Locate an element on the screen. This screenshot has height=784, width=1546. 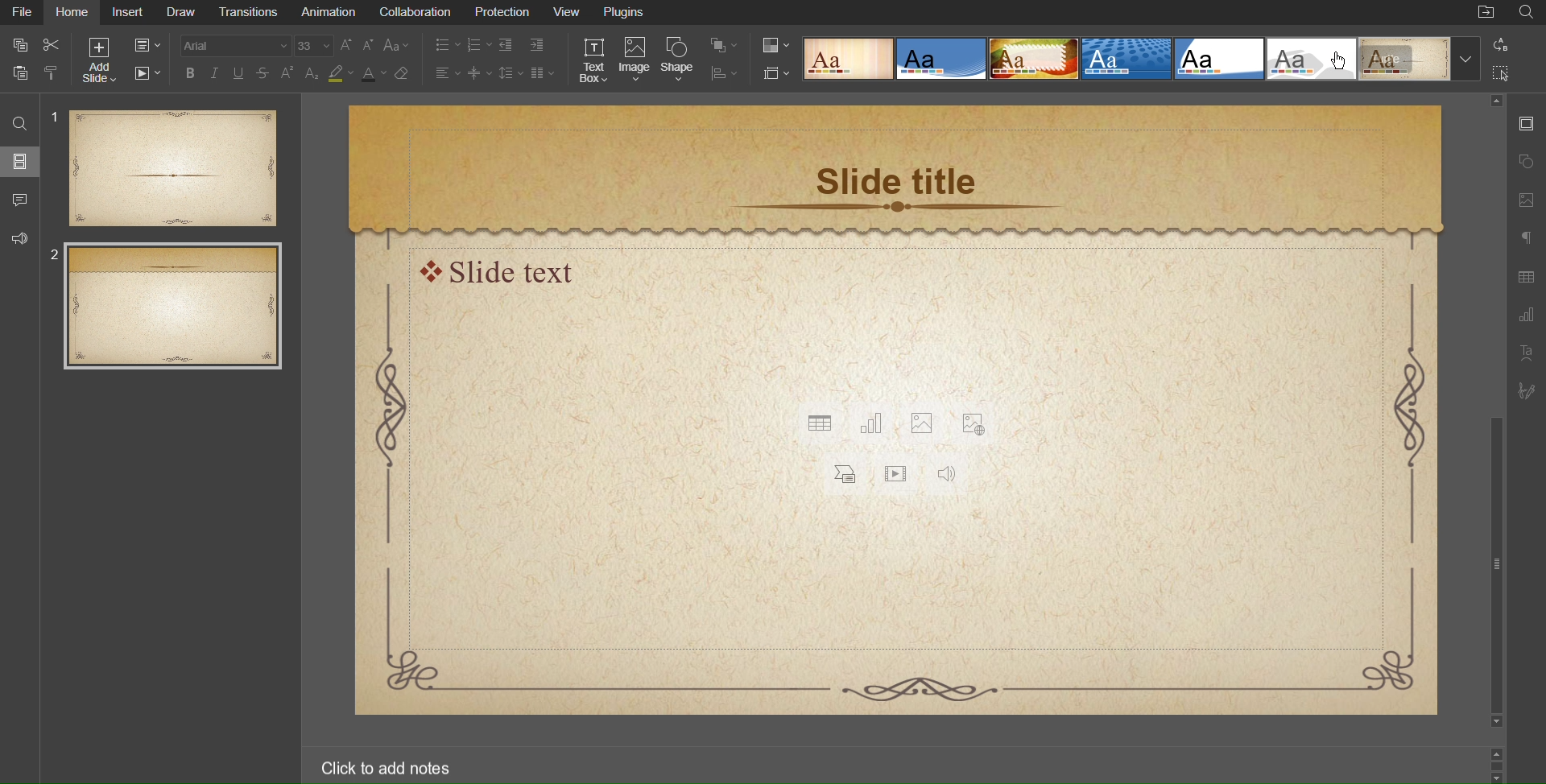
Table Settings is located at coordinates (1525, 278).